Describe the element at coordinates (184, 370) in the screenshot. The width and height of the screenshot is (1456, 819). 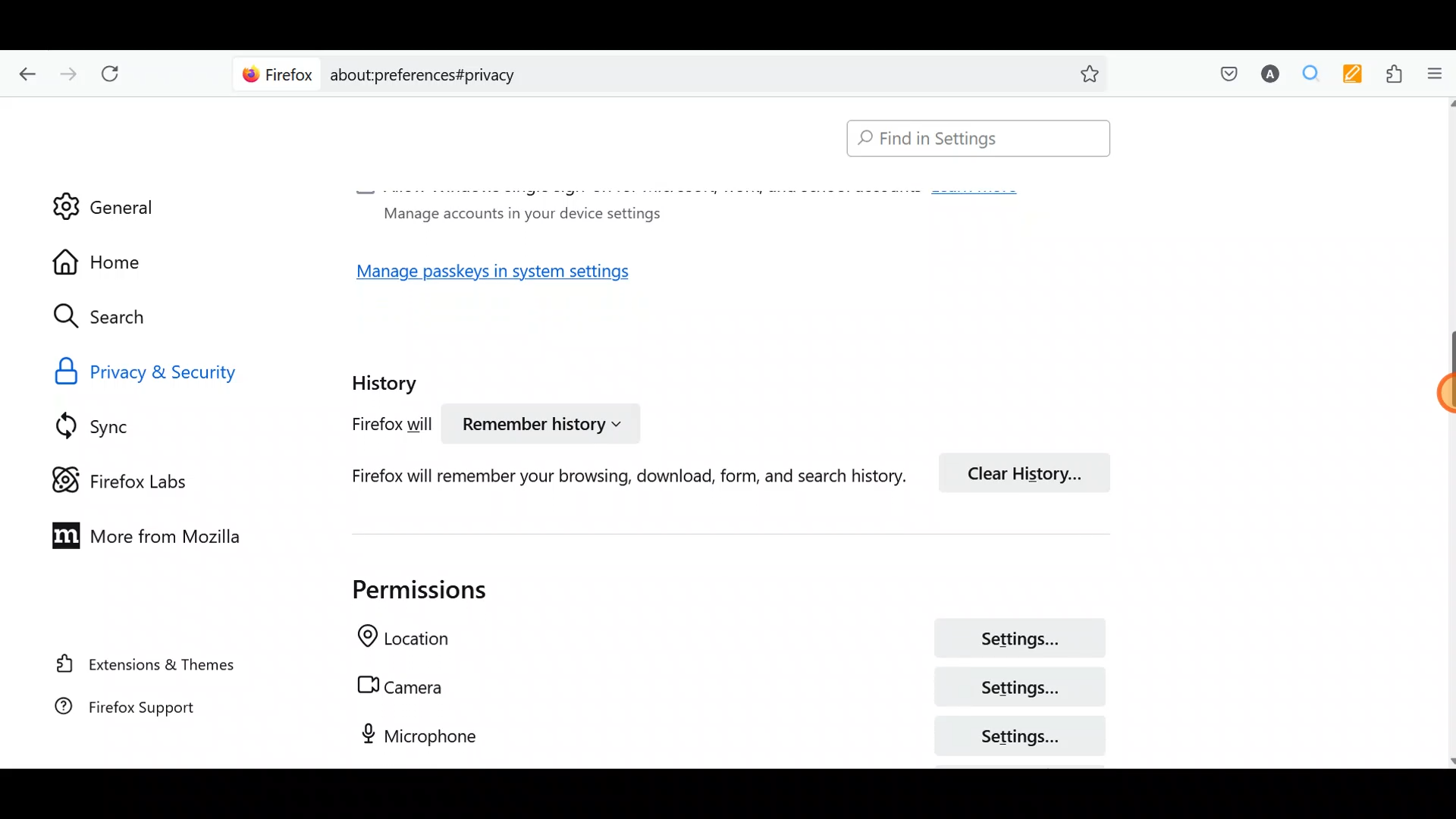
I see `Privacy & security` at that location.